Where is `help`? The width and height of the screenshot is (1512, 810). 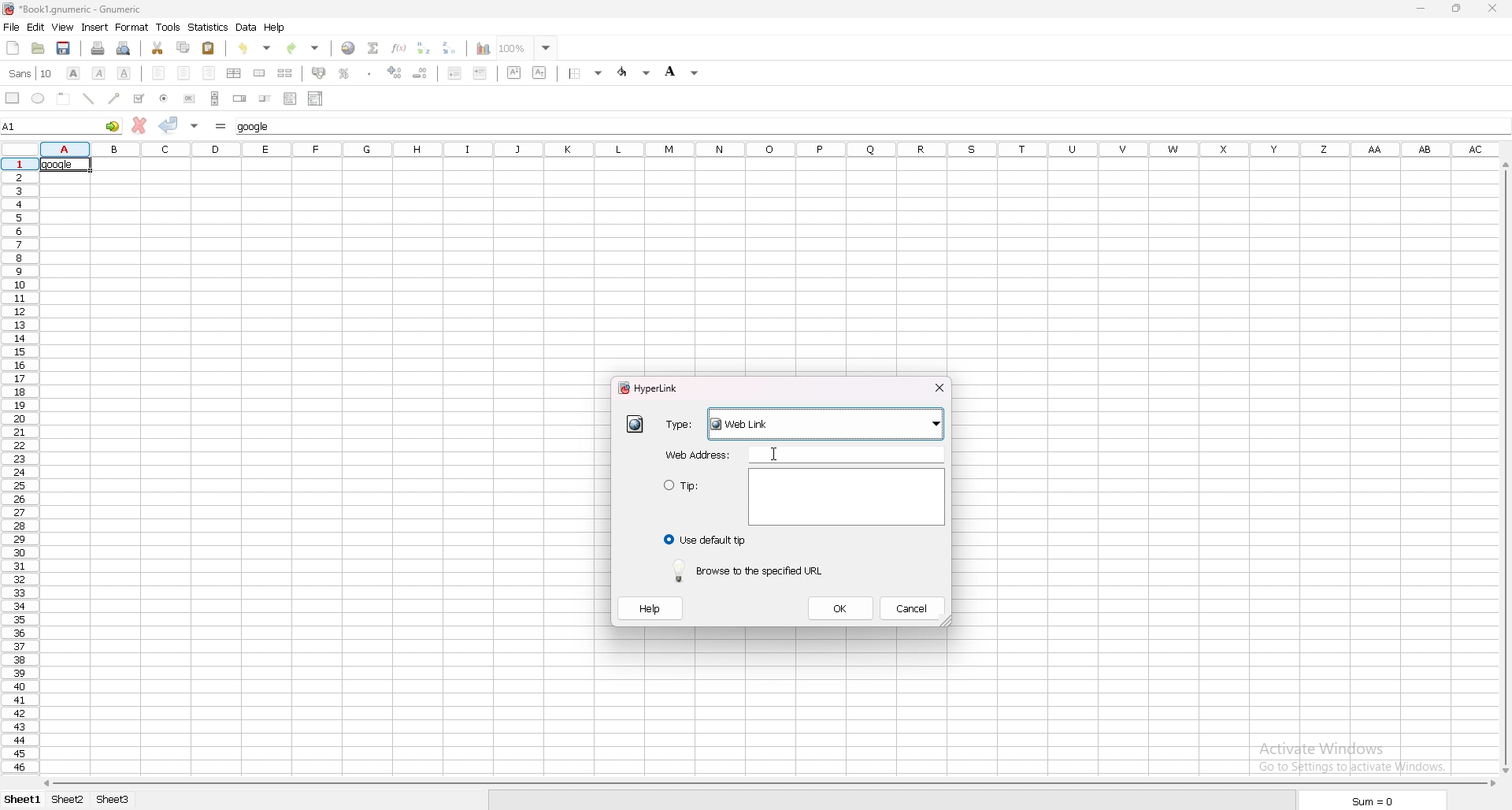
help is located at coordinates (648, 607).